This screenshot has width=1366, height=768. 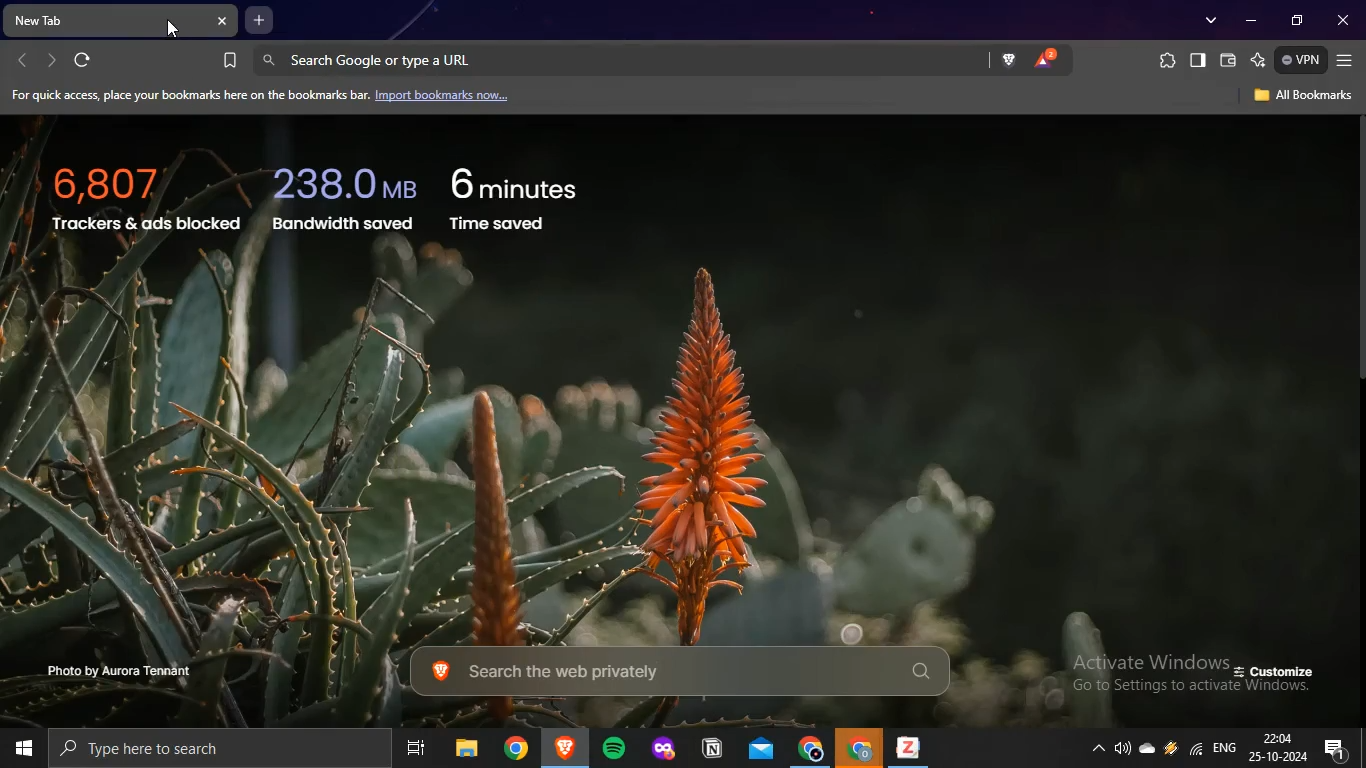 What do you see at coordinates (1046, 58) in the screenshot?
I see `brave rewards` at bounding box center [1046, 58].